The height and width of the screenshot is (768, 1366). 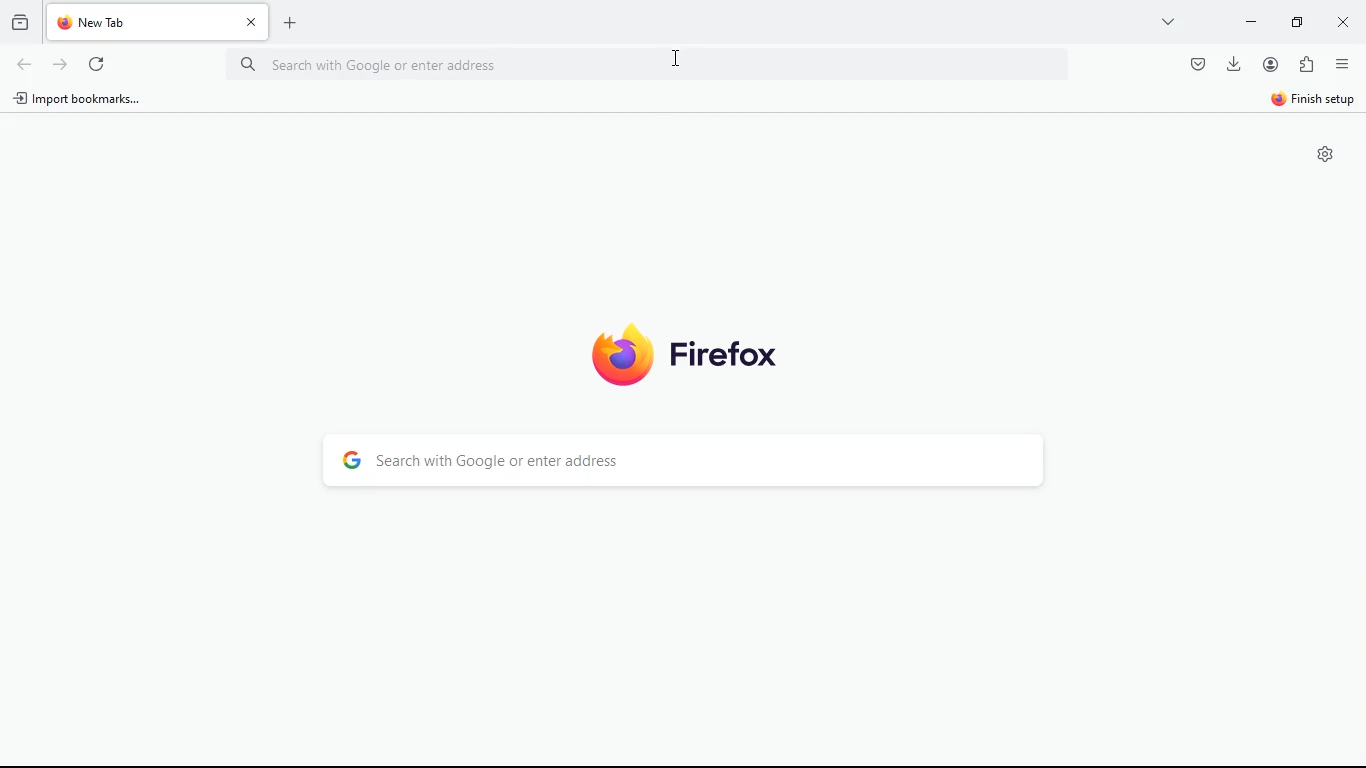 What do you see at coordinates (1316, 98) in the screenshot?
I see `finish setup` at bounding box center [1316, 98].